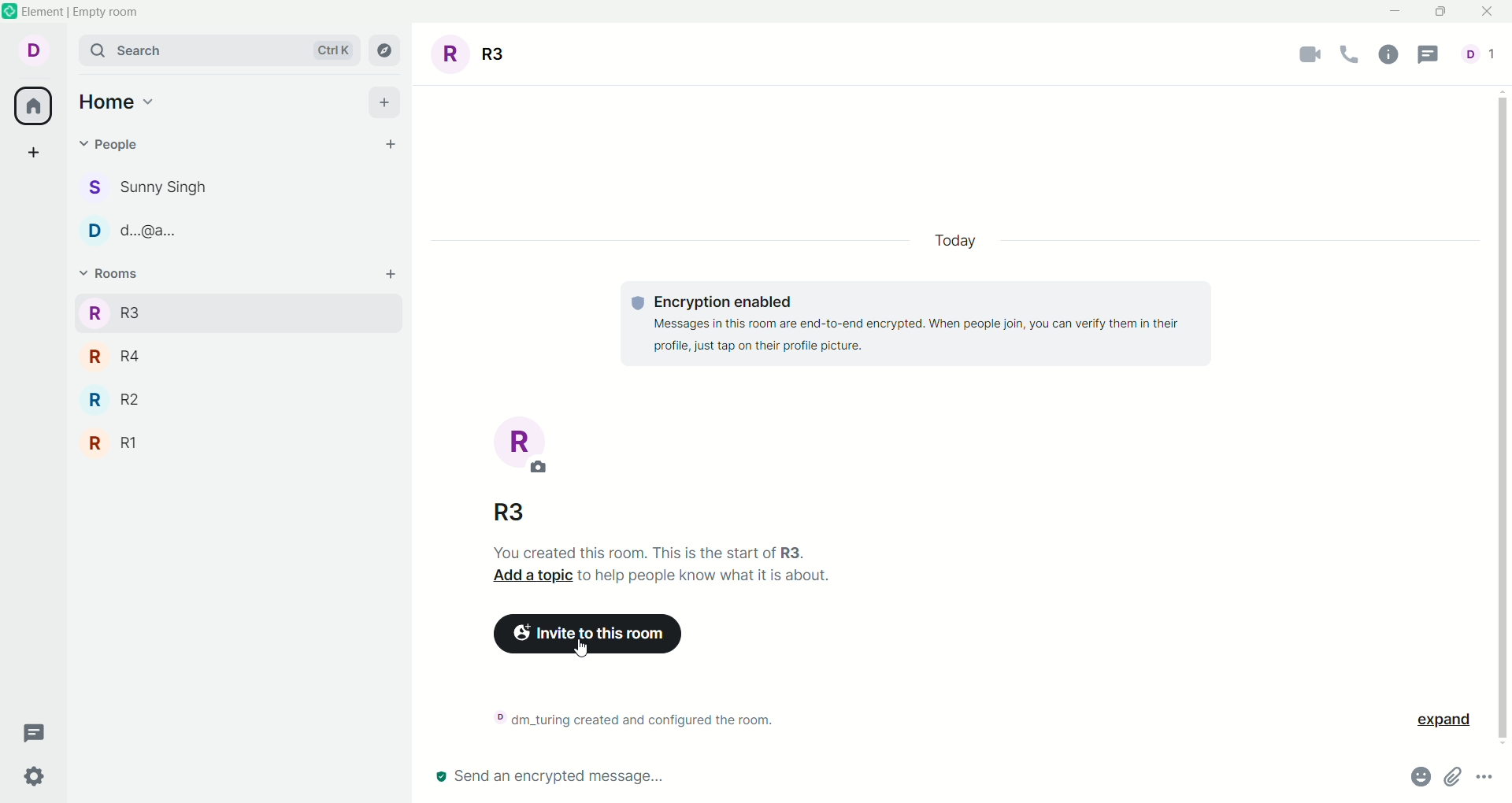  I want to click on search Ctrl + K, so click(216, 50).